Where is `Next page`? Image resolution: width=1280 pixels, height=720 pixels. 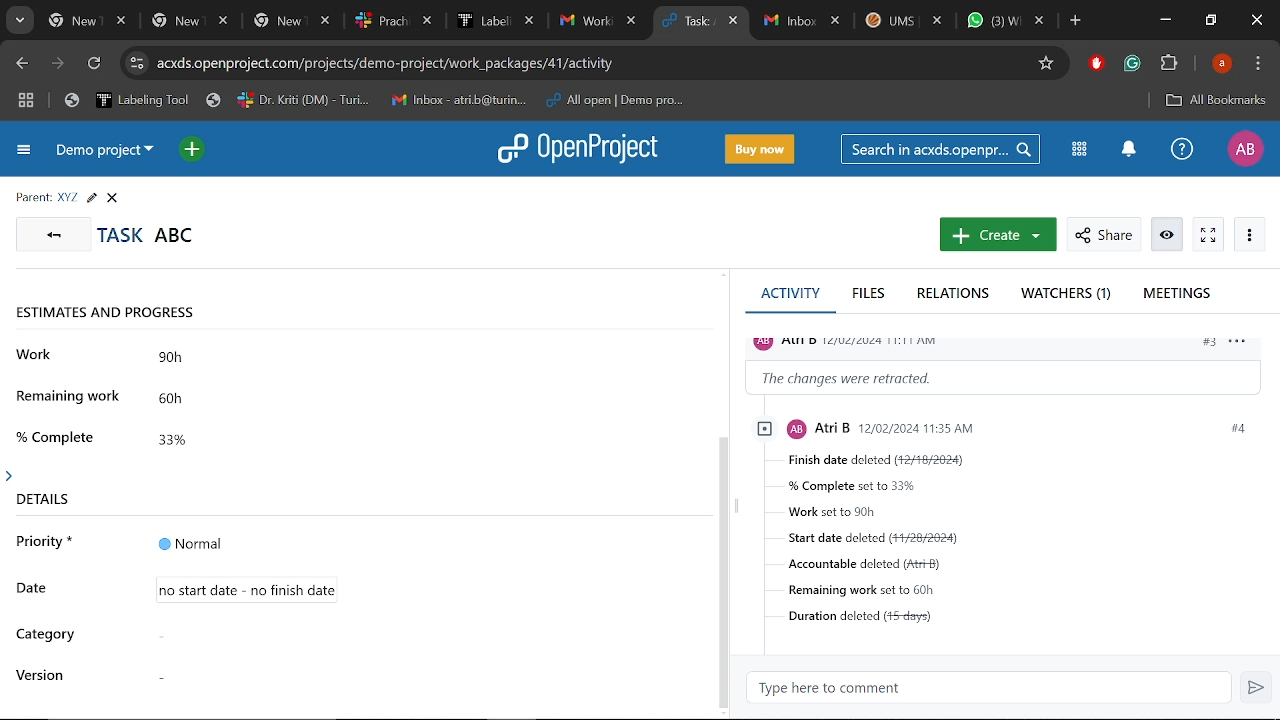 Next page is located at coordinates (60, 65).